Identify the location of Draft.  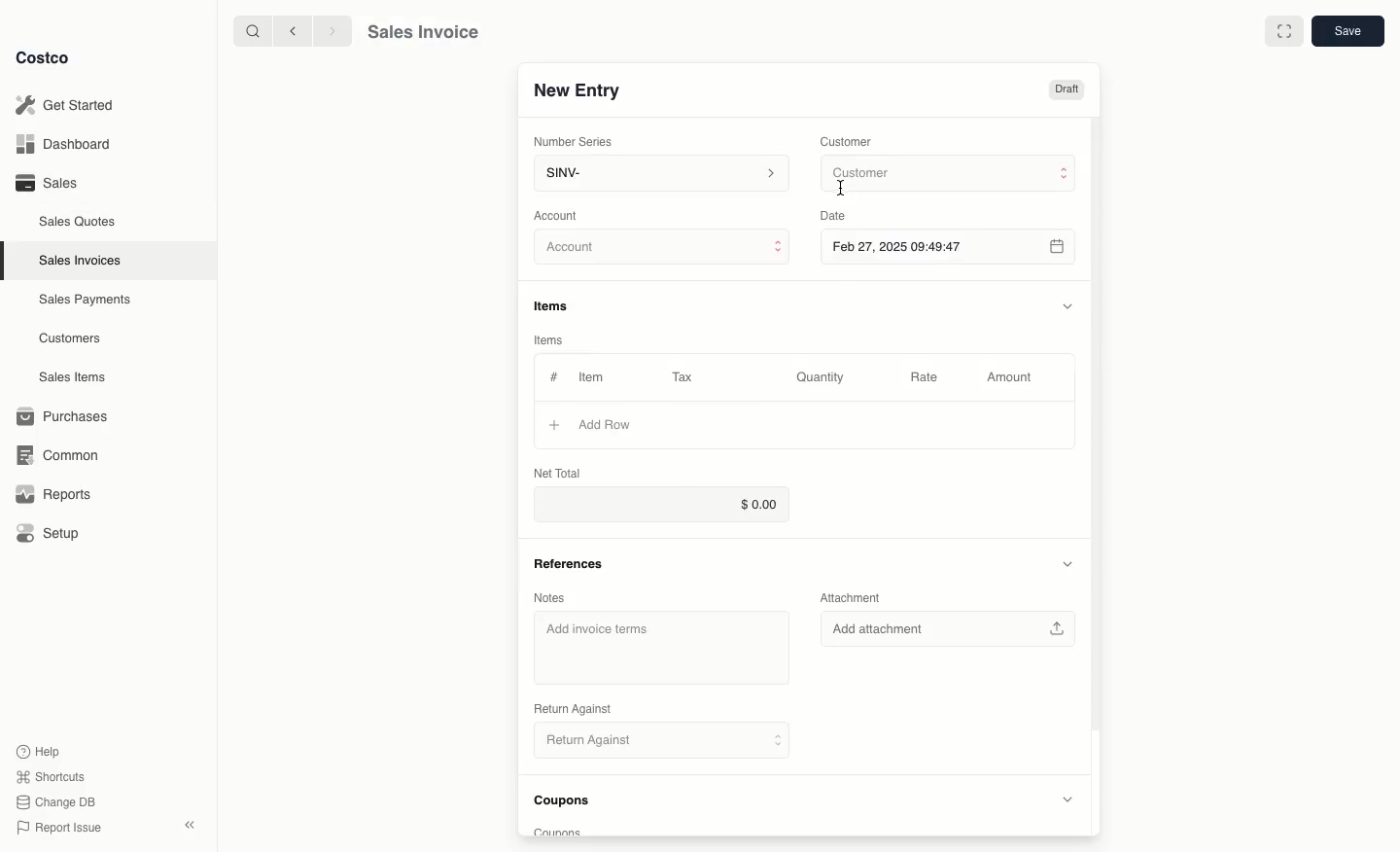
(1067, 90).